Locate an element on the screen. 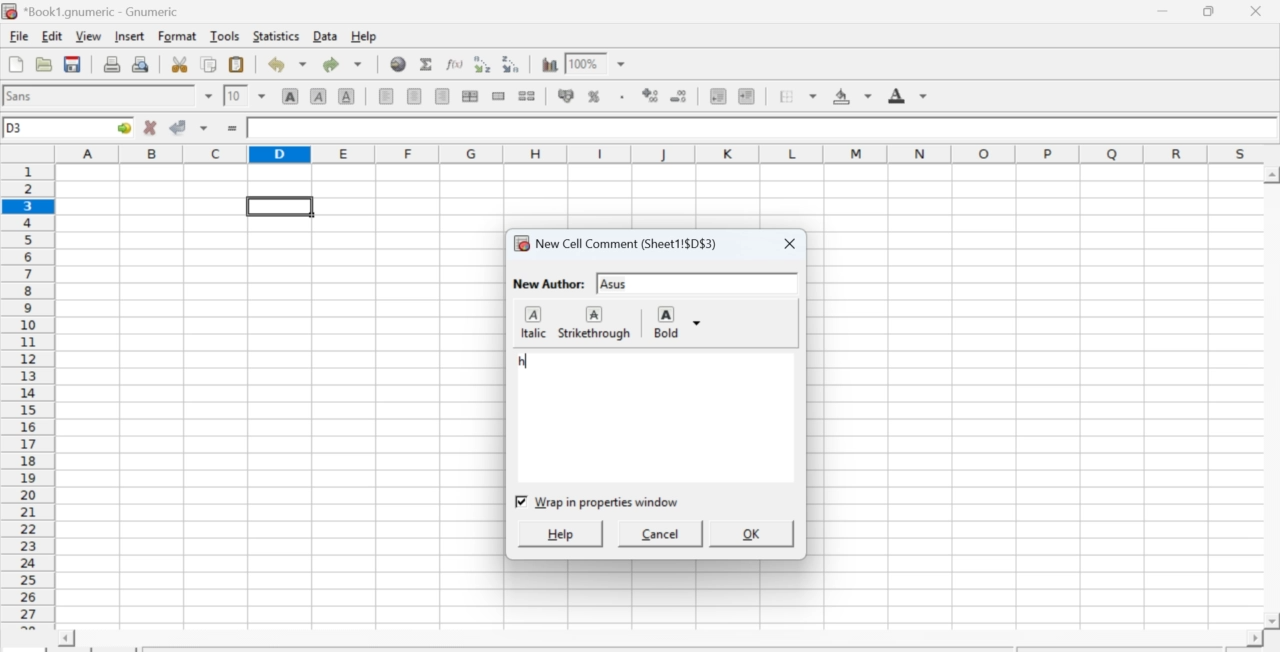  Graph is located at coordinates (550, 63).